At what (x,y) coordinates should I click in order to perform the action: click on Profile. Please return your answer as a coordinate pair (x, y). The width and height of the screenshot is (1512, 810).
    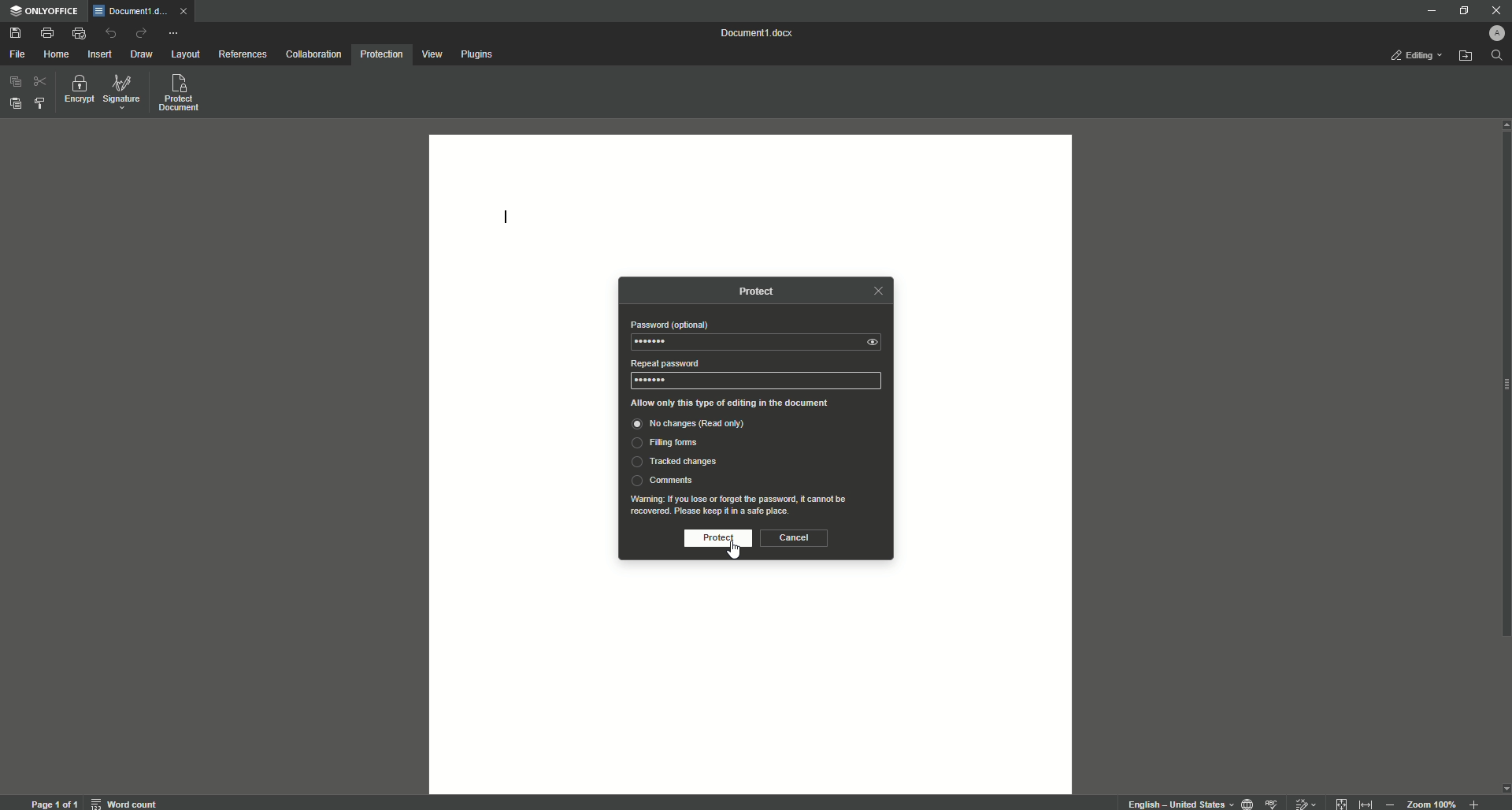
    Looking at the image, I should click on (1499, 31).